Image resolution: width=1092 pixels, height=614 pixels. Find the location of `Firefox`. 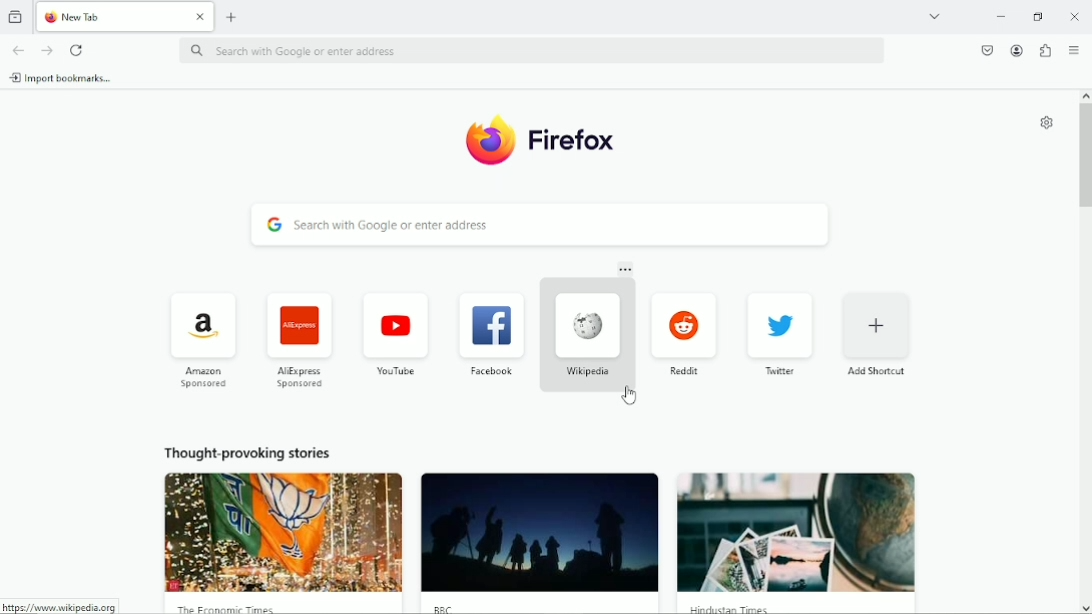

Firefox is located at coordinates (573, 140).